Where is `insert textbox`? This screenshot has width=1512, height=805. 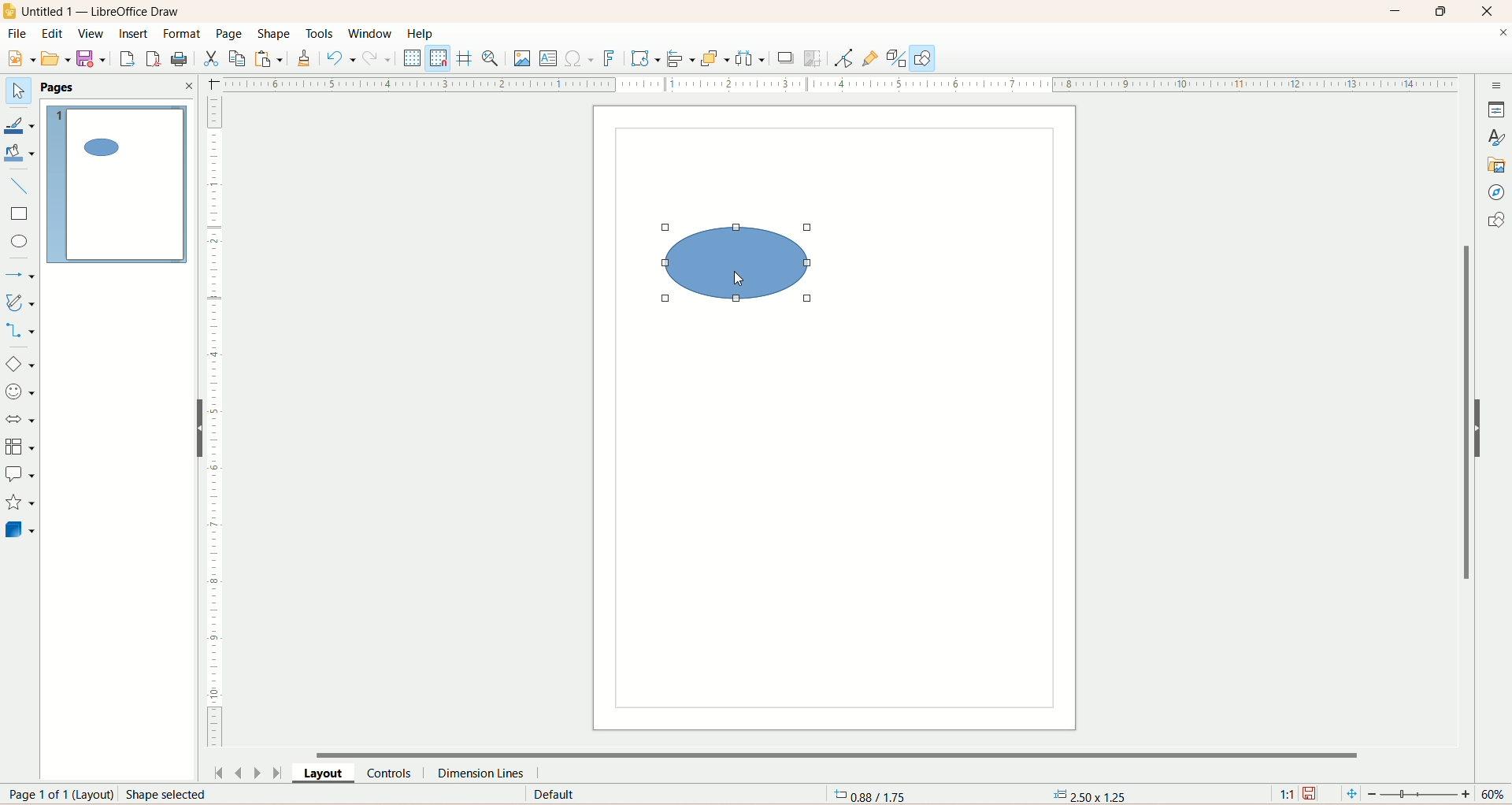 insert textbox is located at coordinates (547, 58).